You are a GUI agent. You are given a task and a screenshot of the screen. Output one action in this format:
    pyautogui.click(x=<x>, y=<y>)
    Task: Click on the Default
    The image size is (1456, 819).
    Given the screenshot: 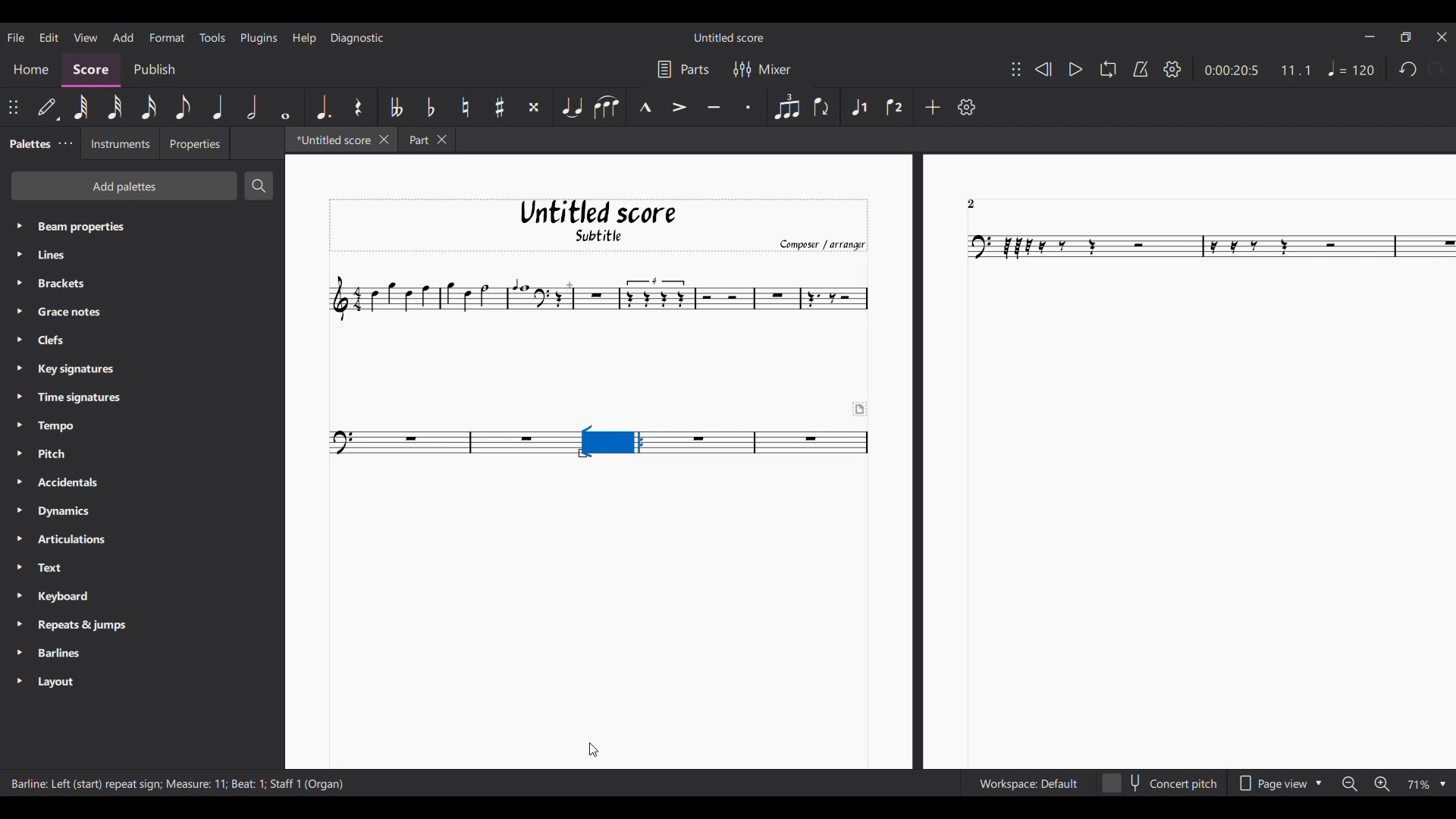 What is the action you would take?
    pyautogui.click(x=49, y=108)
    